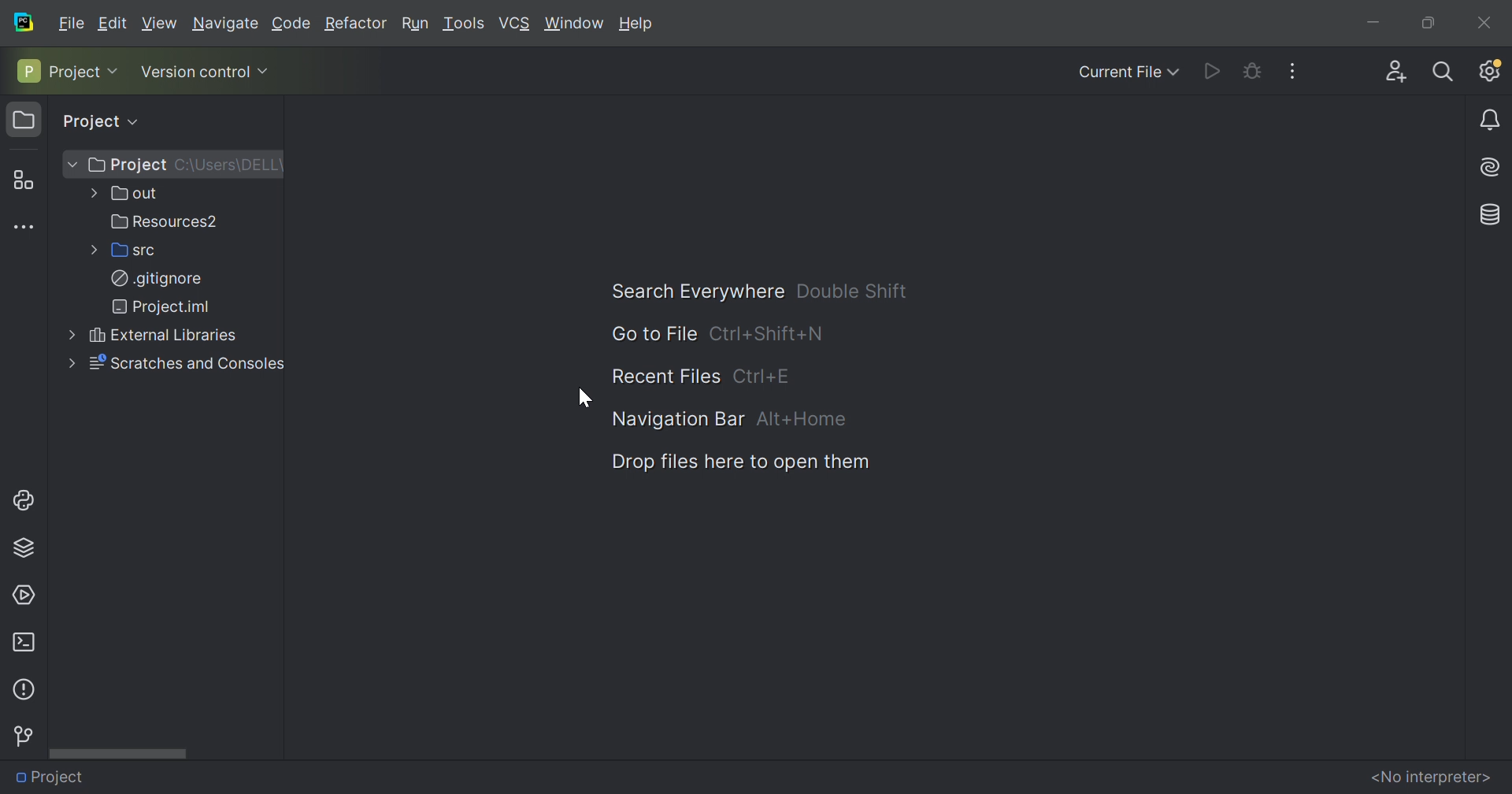 The width and height of the screenshot is (1512, 794). I want to click on Navigation Bar, so click(678, 421).